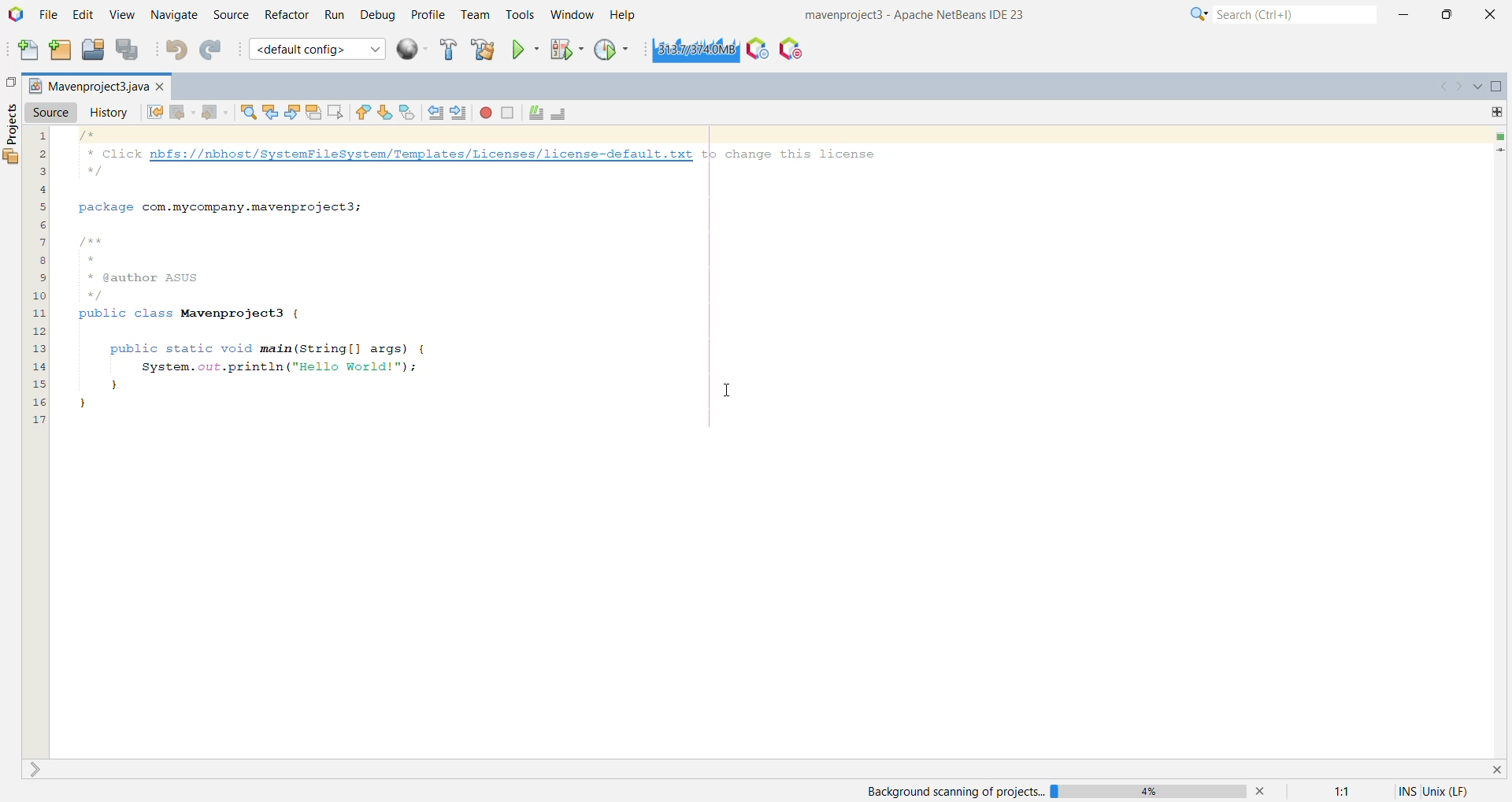  Describe the element at coordinates (364, 112) in the screenshot. I see `Previous Bookmark` at that location.